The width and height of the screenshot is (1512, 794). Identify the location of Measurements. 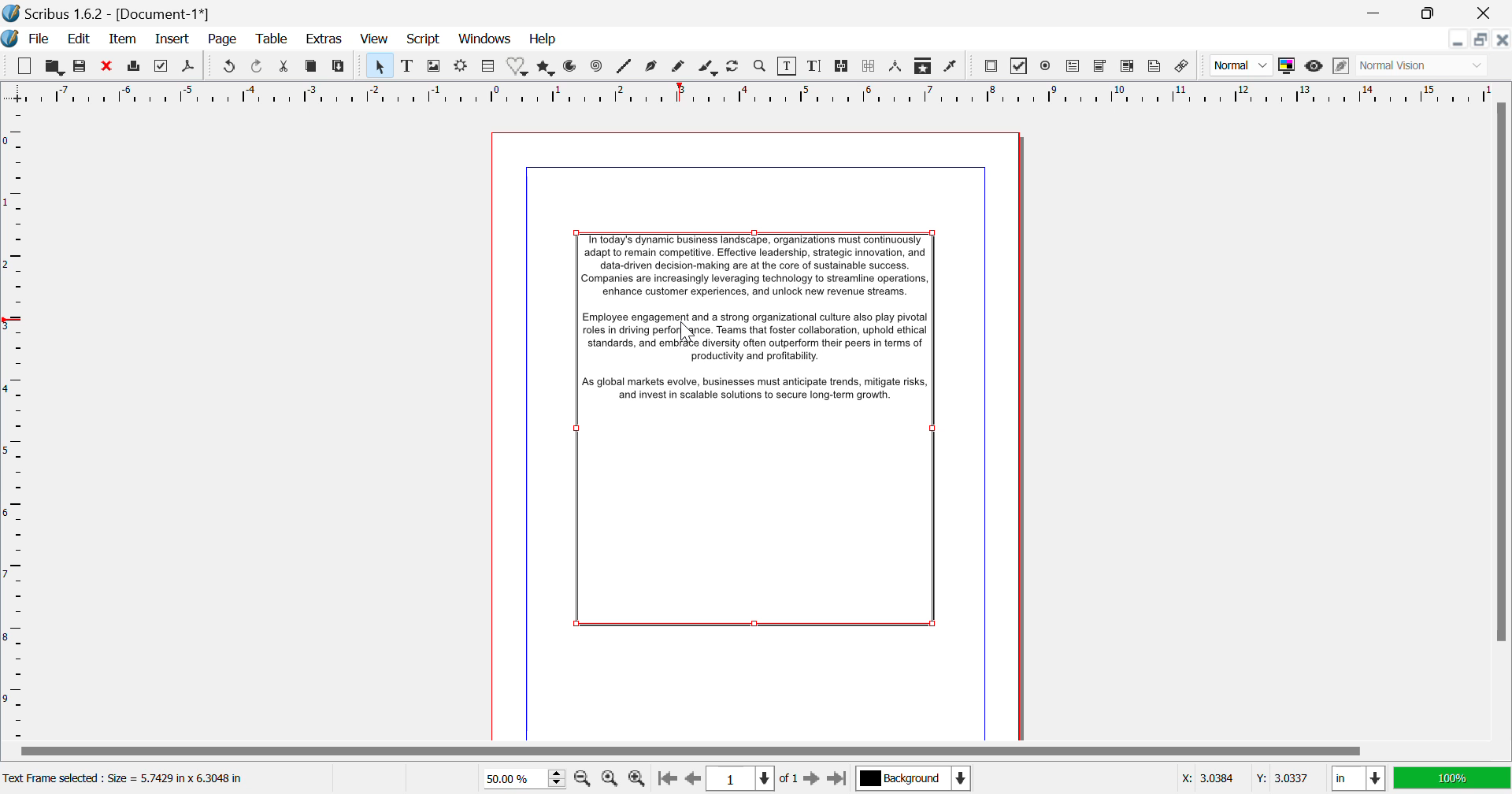
(898, 68).